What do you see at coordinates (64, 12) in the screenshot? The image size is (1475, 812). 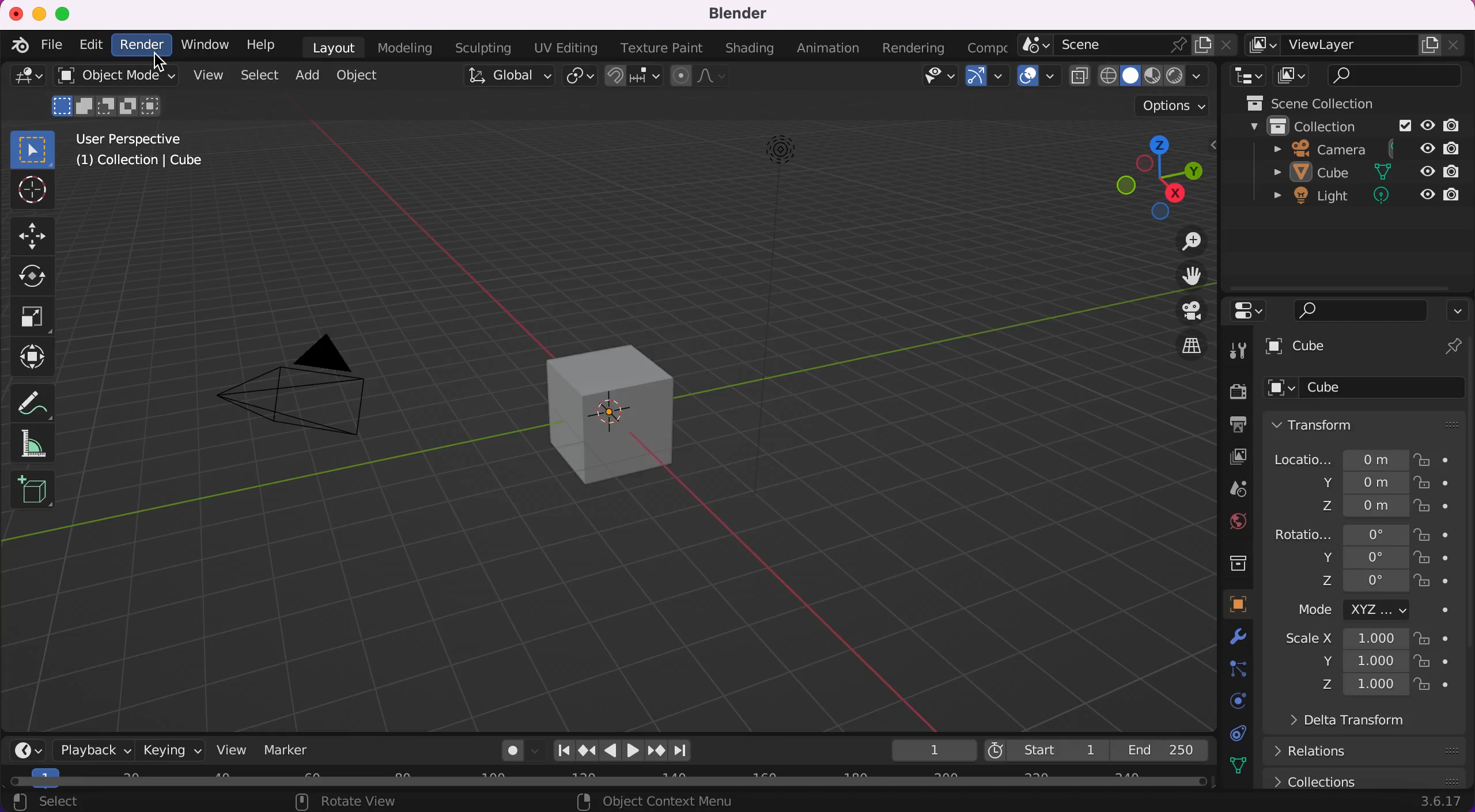 I see `maximize` at bounding box center [64, 12].